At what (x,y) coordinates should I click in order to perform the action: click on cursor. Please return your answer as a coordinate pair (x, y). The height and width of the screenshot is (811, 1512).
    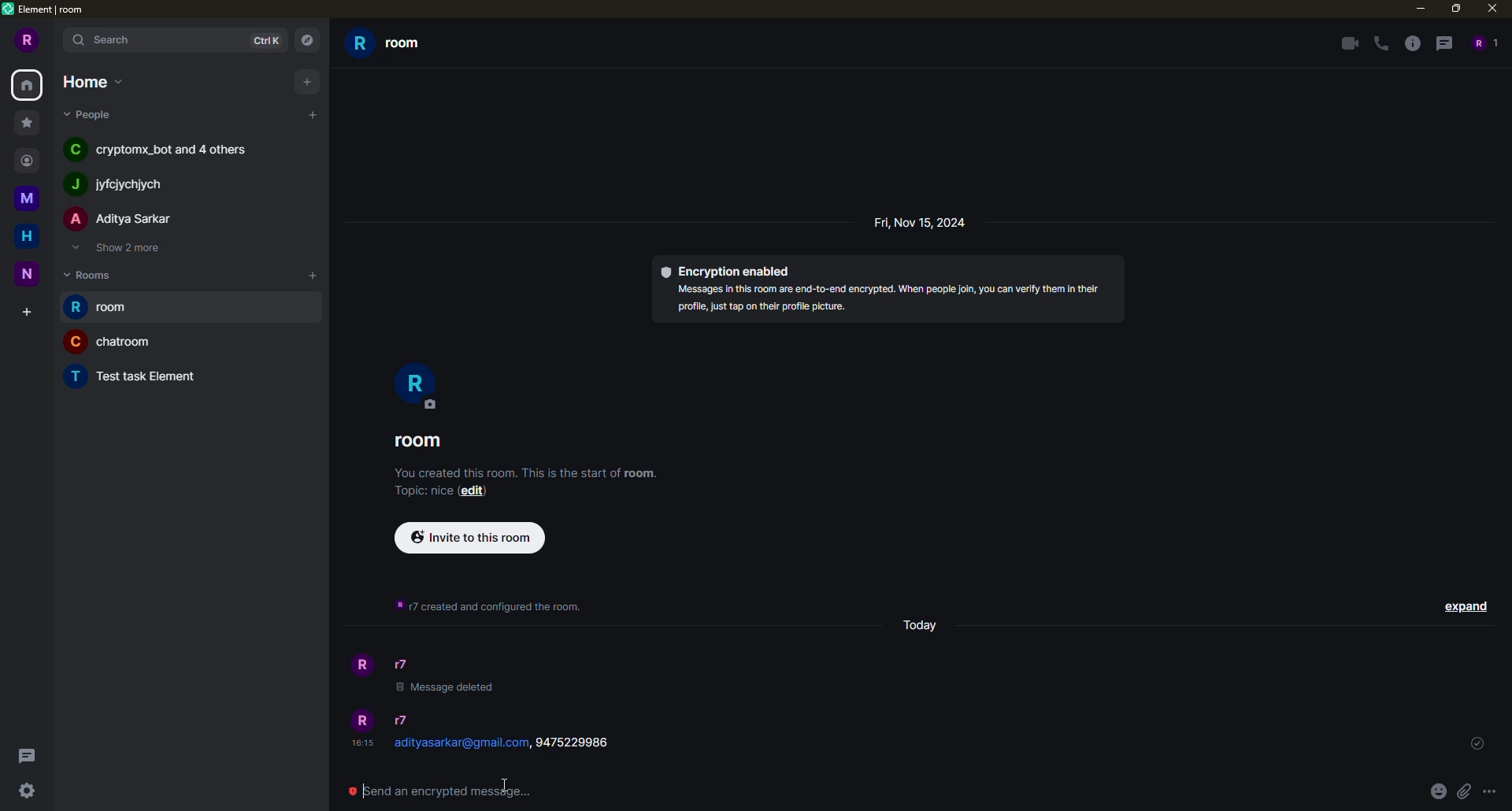
    Looking at the image, I should click on (504, 786).